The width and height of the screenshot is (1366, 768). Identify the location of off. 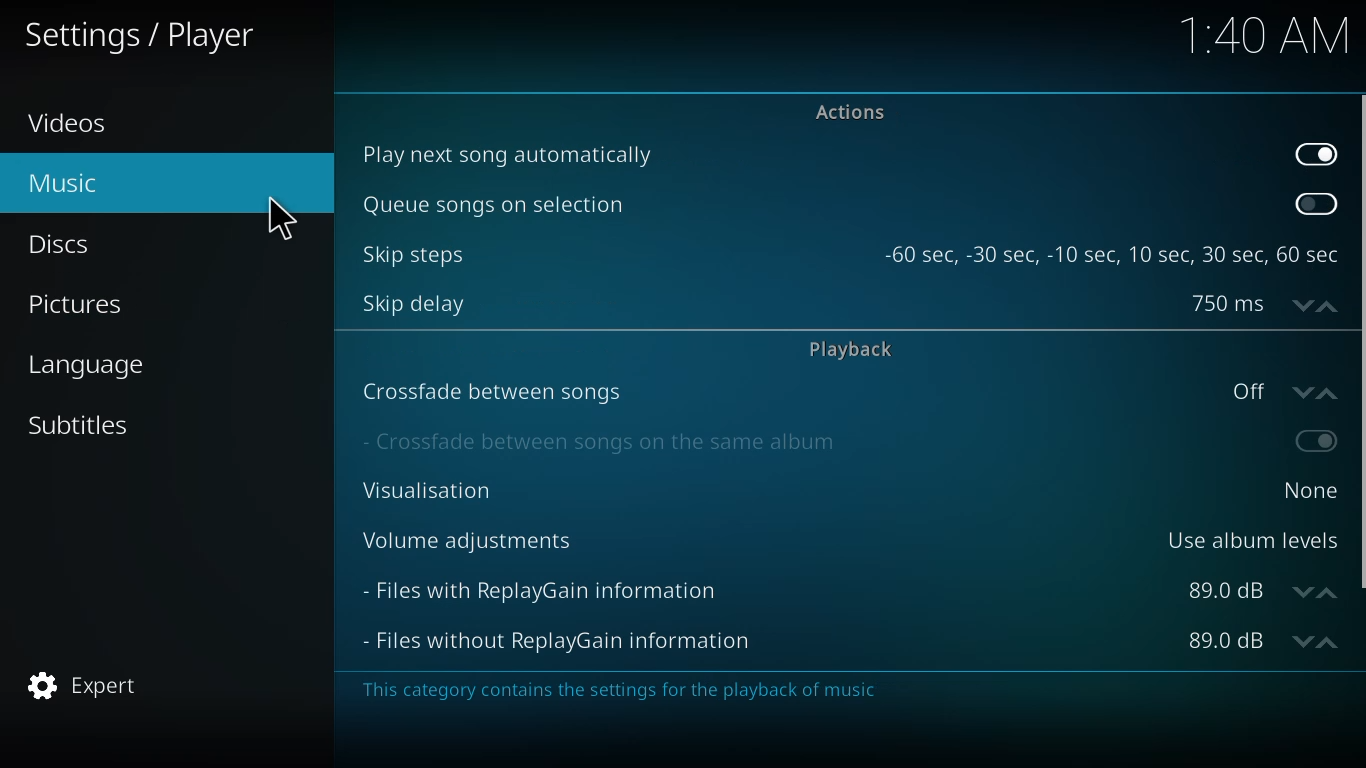
(1283, 390).